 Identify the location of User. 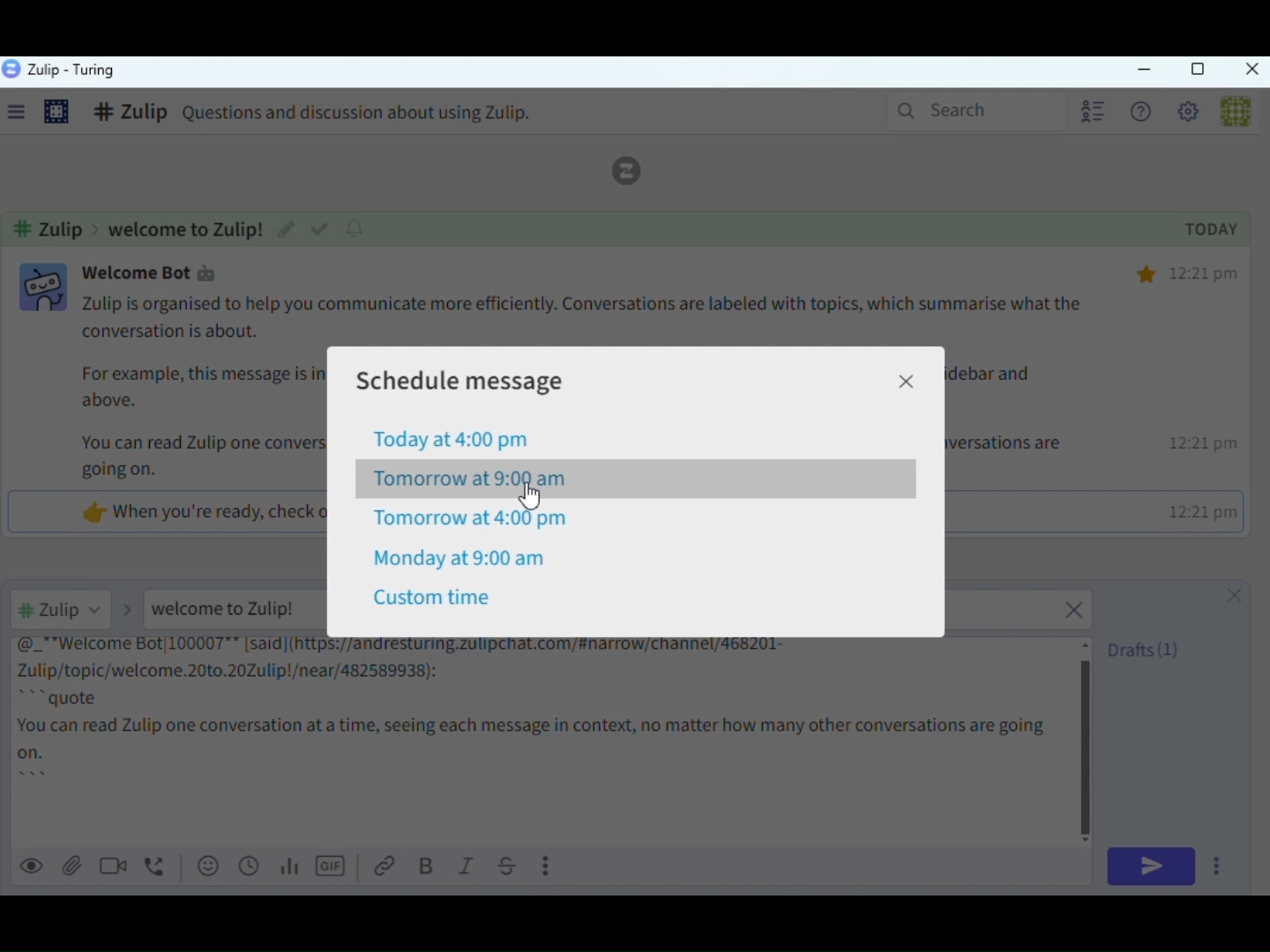
(1233, 111).